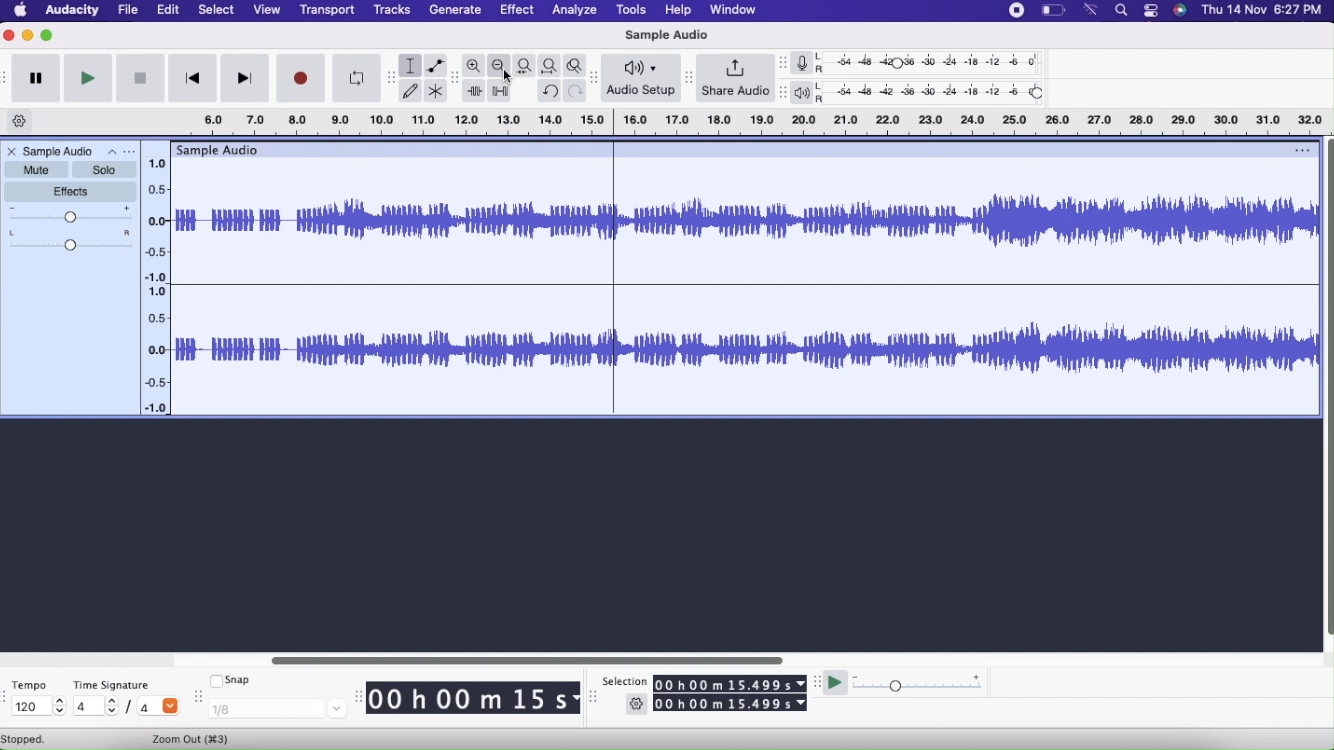 This screenshot has height=750, width=1334. Describe the element at coordinates (358, 78) in the screenshot. I see `Enable Looping` at that location.